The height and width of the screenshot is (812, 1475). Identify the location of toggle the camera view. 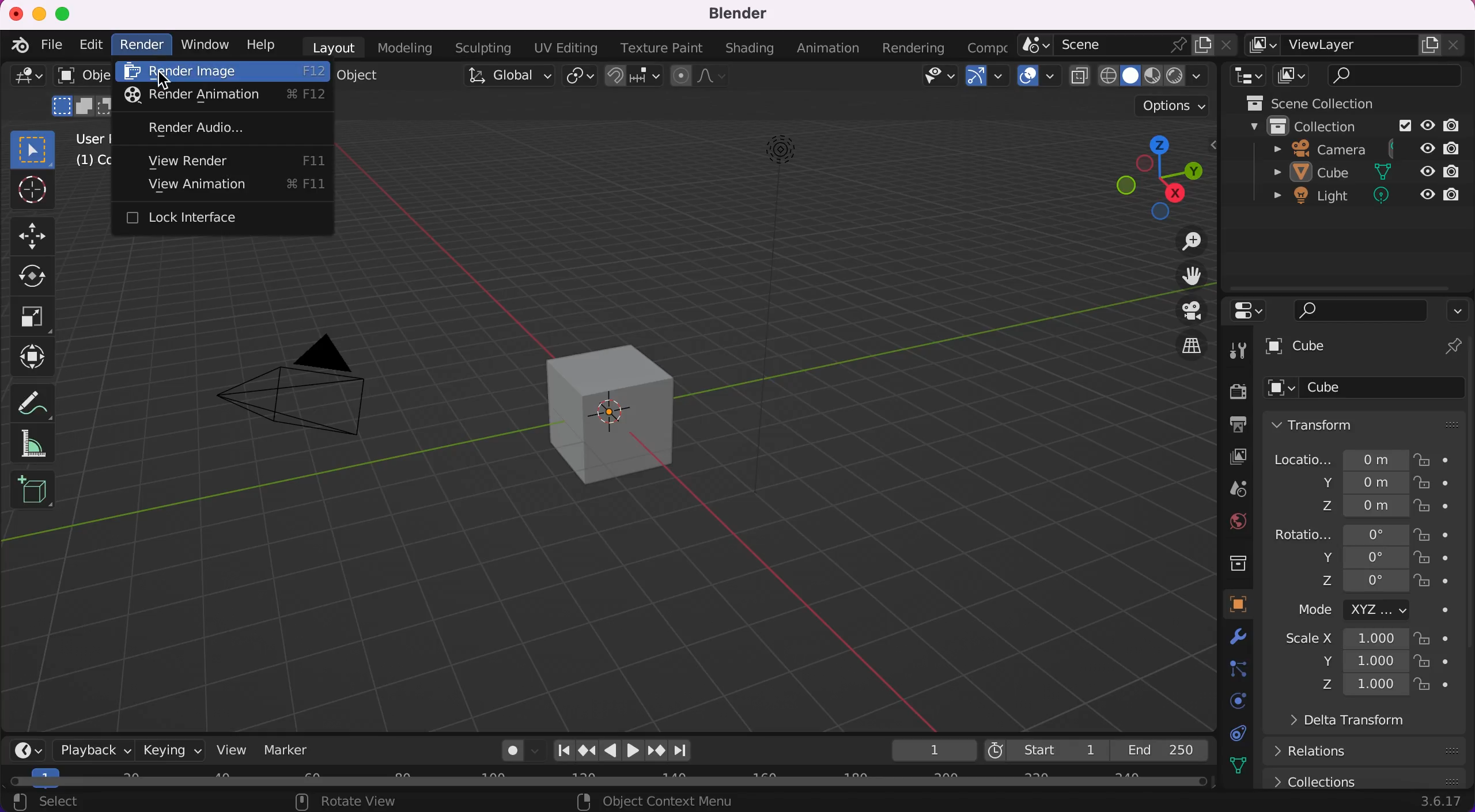
(1189, 311).